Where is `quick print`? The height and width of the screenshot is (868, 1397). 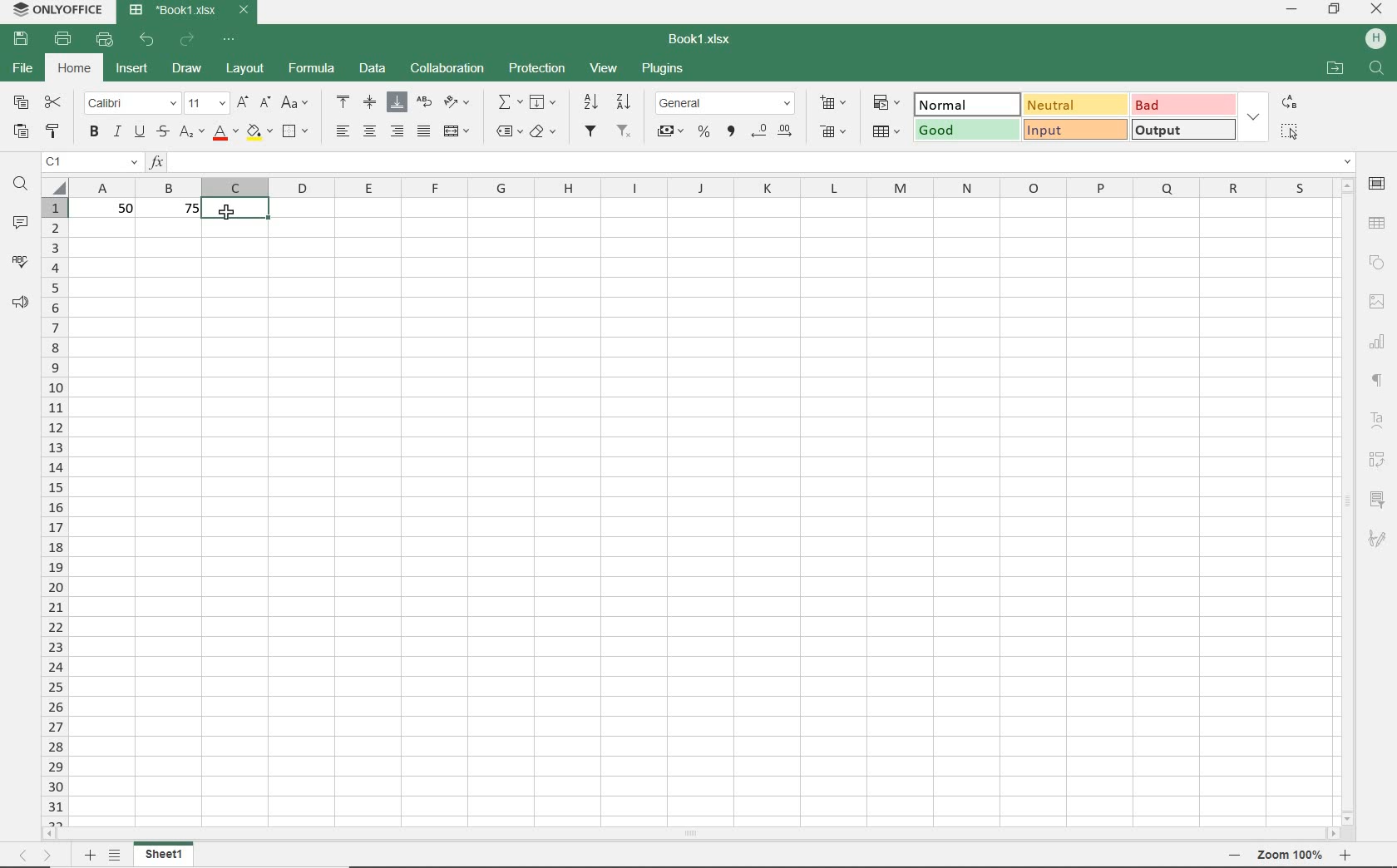
quick print is located at coordinates (106, 42).